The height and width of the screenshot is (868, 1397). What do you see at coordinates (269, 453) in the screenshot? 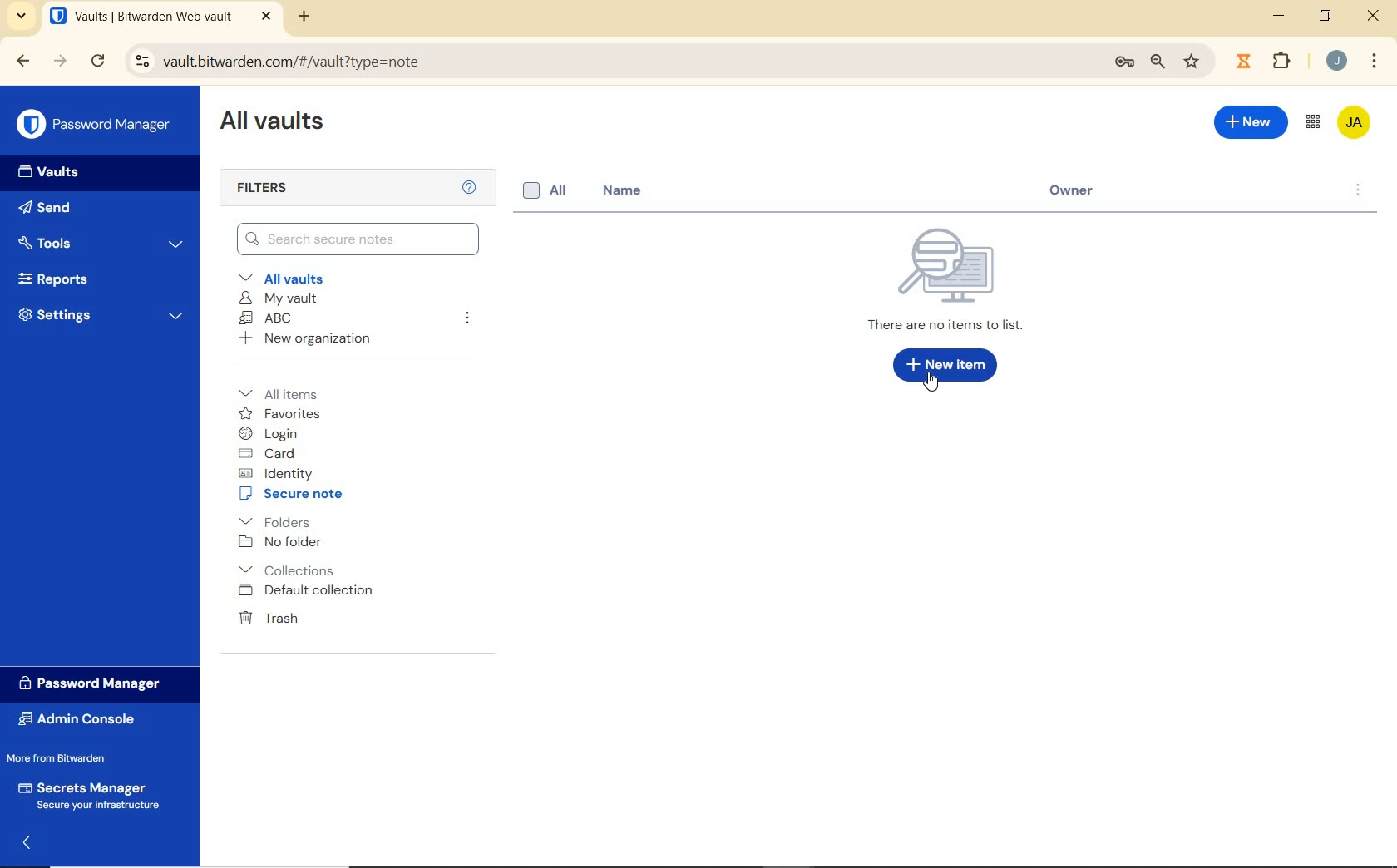
I see `card` at bounding box center [269, 453].